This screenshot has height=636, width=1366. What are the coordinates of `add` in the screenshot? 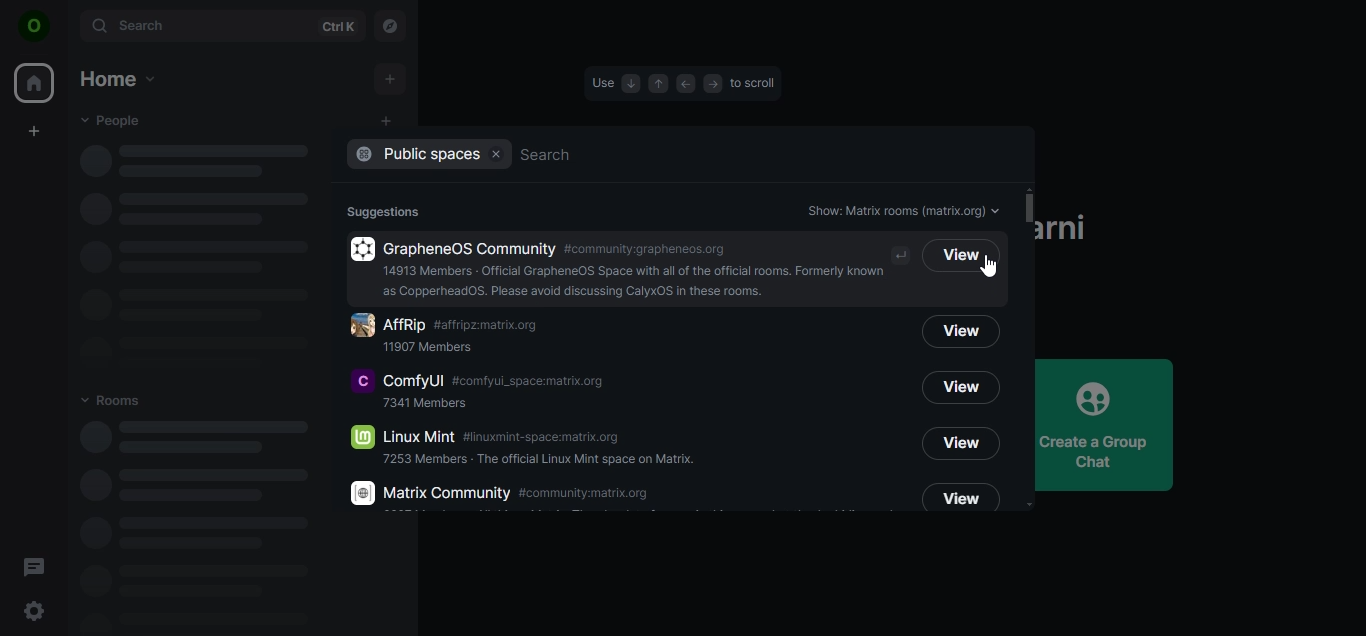 It's located at (391, 80).